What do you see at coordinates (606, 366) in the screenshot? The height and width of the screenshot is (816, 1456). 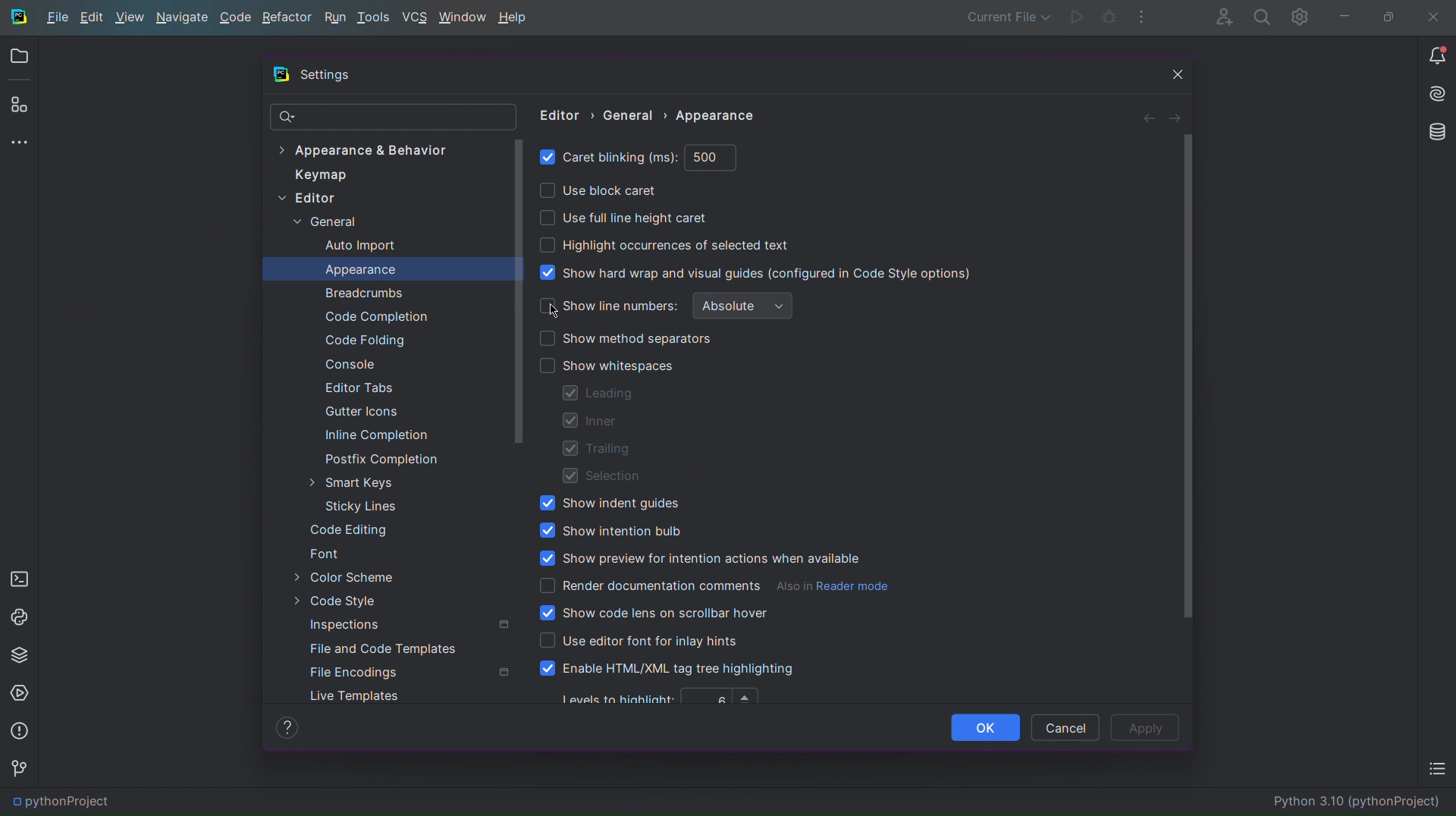 I see `Show whitespaces` at bounding box center [606, 366].